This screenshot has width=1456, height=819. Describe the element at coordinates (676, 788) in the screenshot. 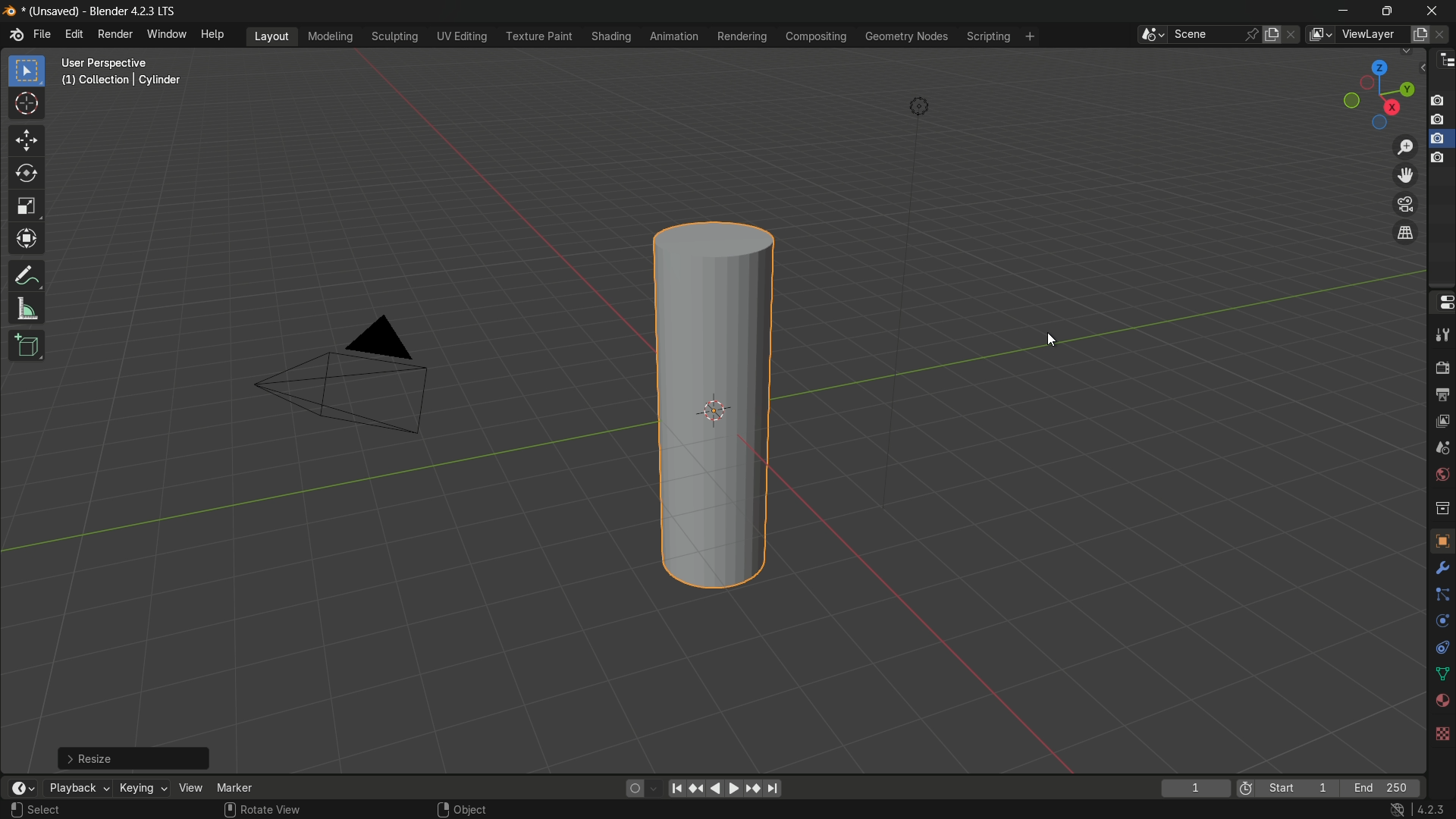

I see `jump to endpoint` at that location.